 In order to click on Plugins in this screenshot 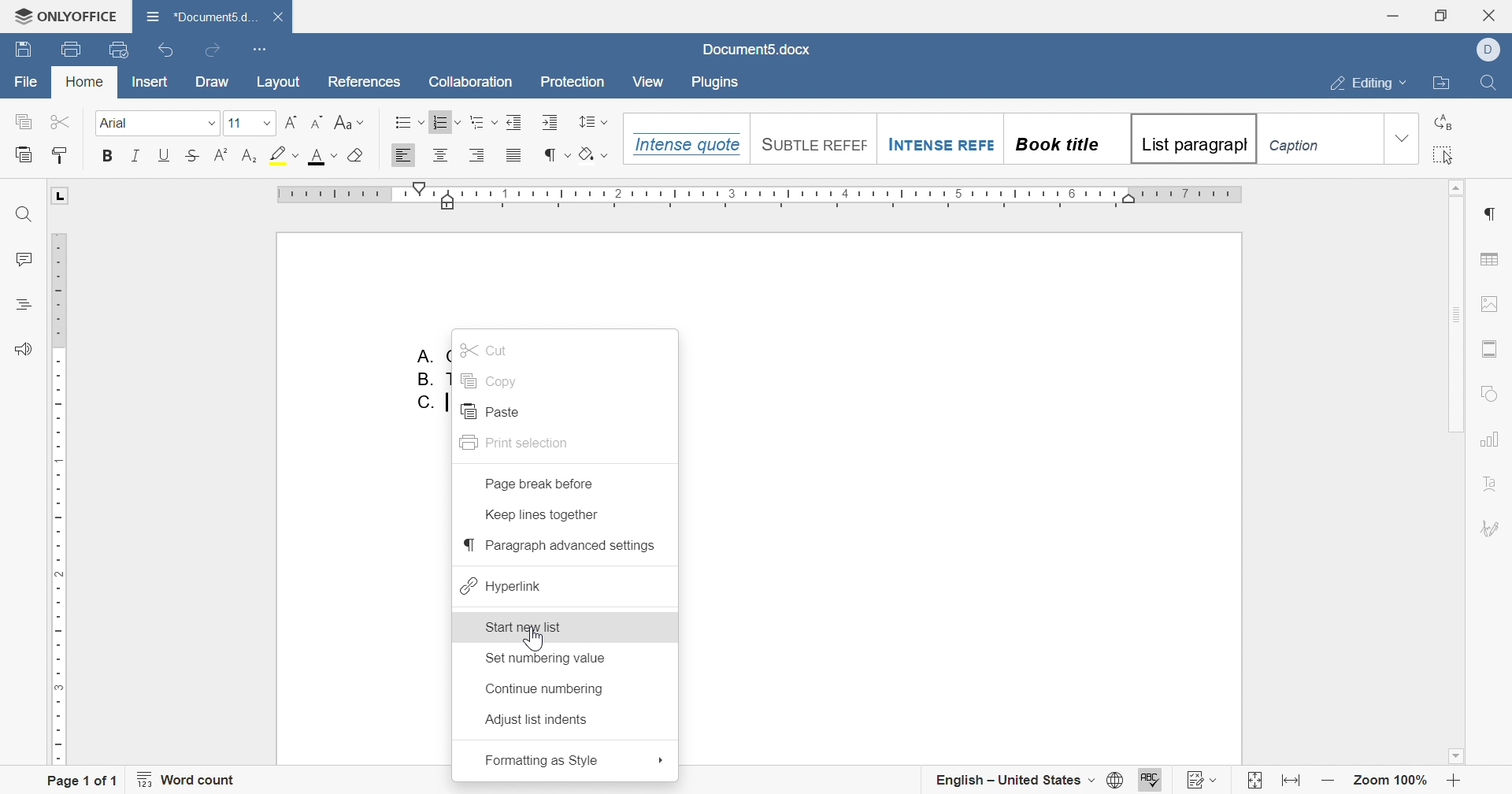, I will do `click(713, 83)`.